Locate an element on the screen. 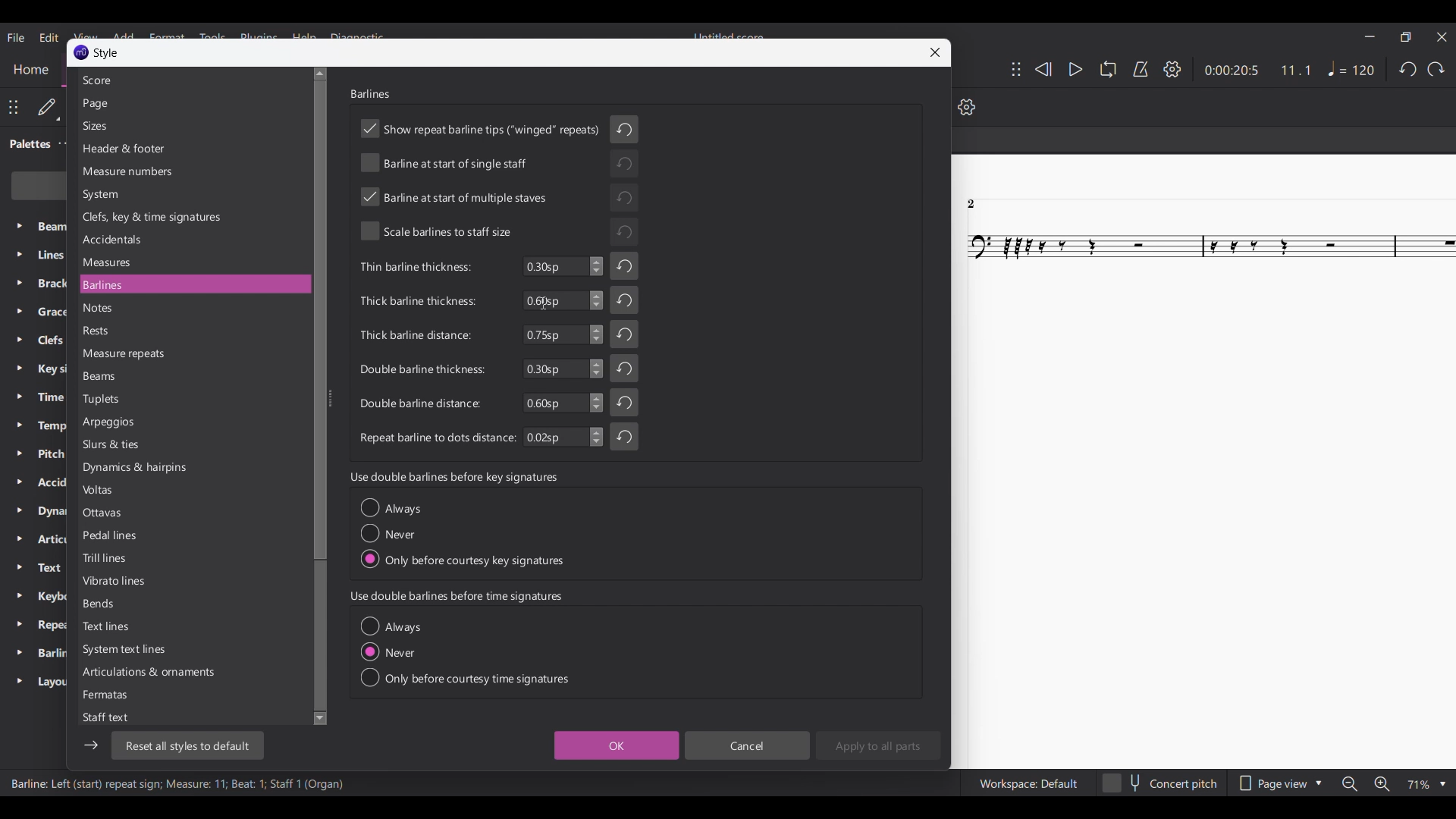  Close window is located at coordinates (935, 52).